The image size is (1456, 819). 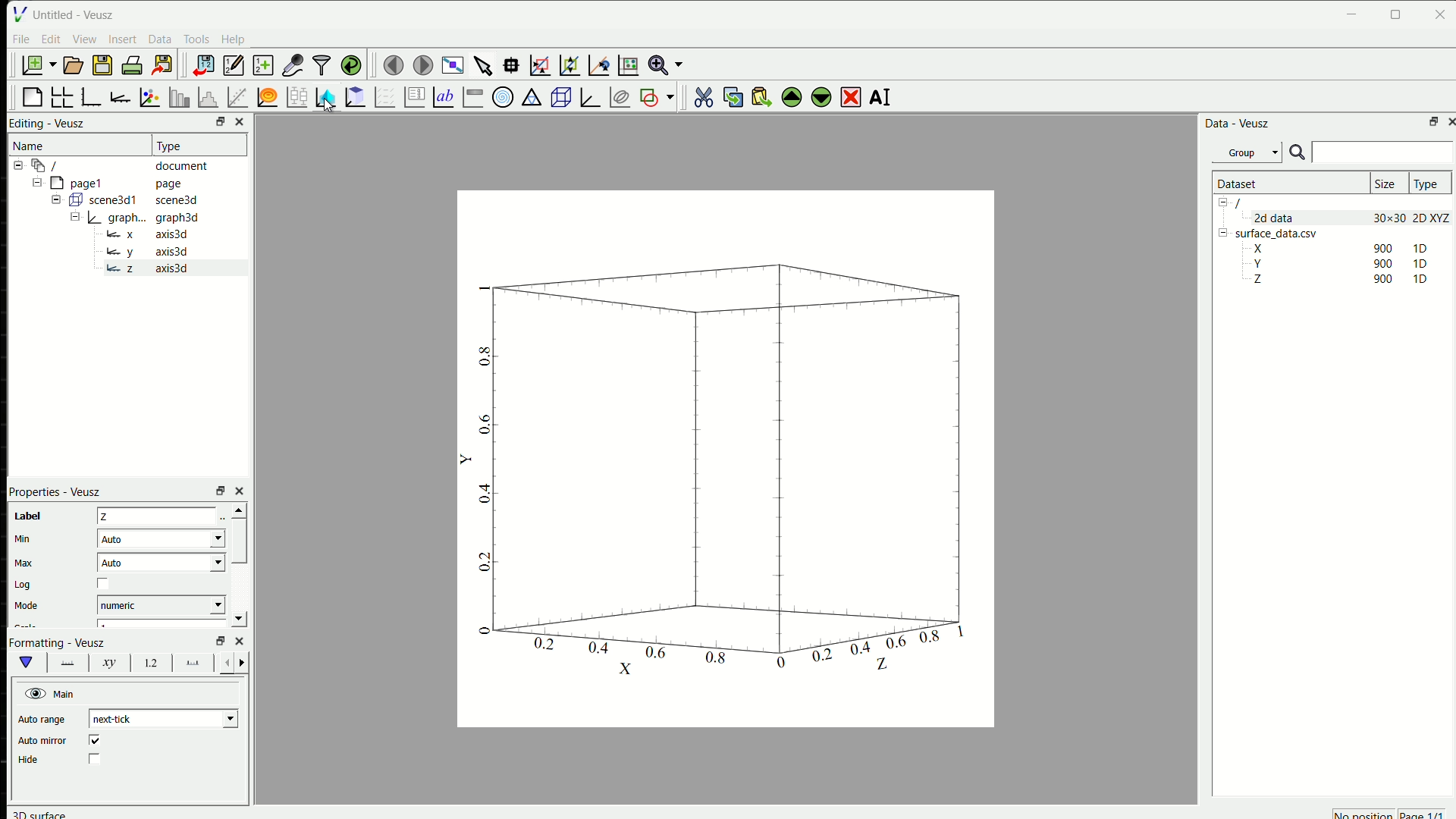 I want to click on 3D scene, so click(x=562, y=96).